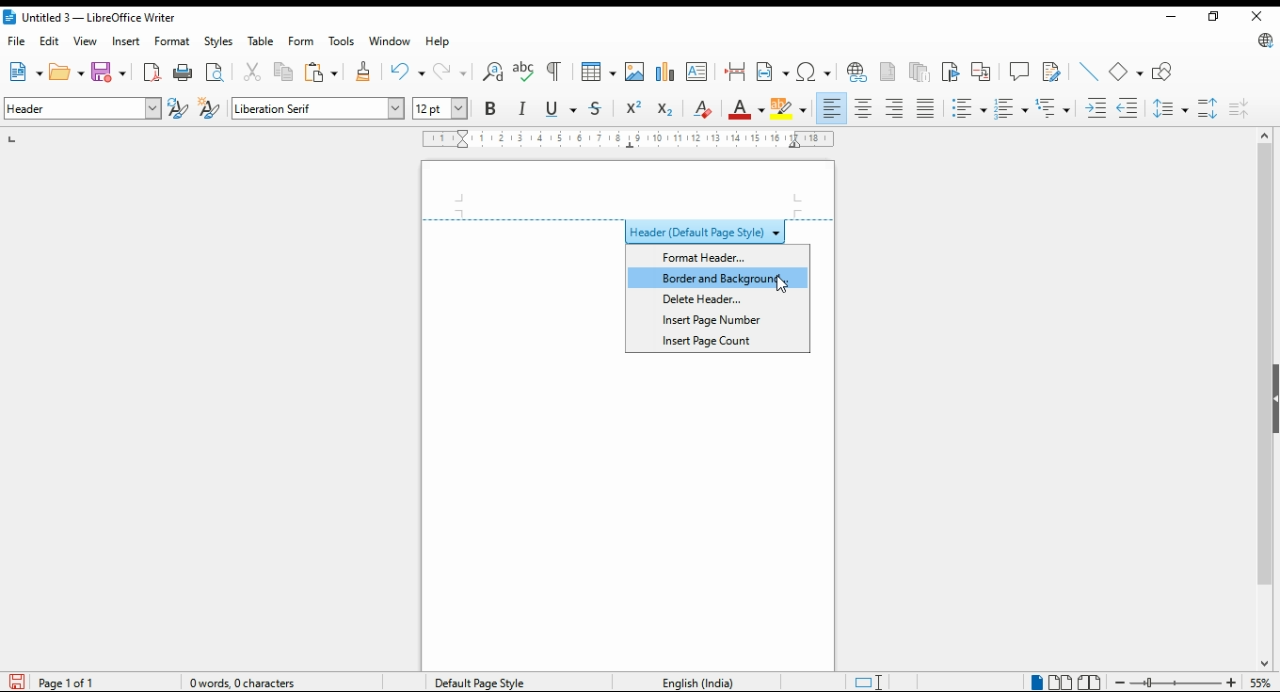 The image size is (1280, 692). I want to click on insert endnote, so click(921, 71).